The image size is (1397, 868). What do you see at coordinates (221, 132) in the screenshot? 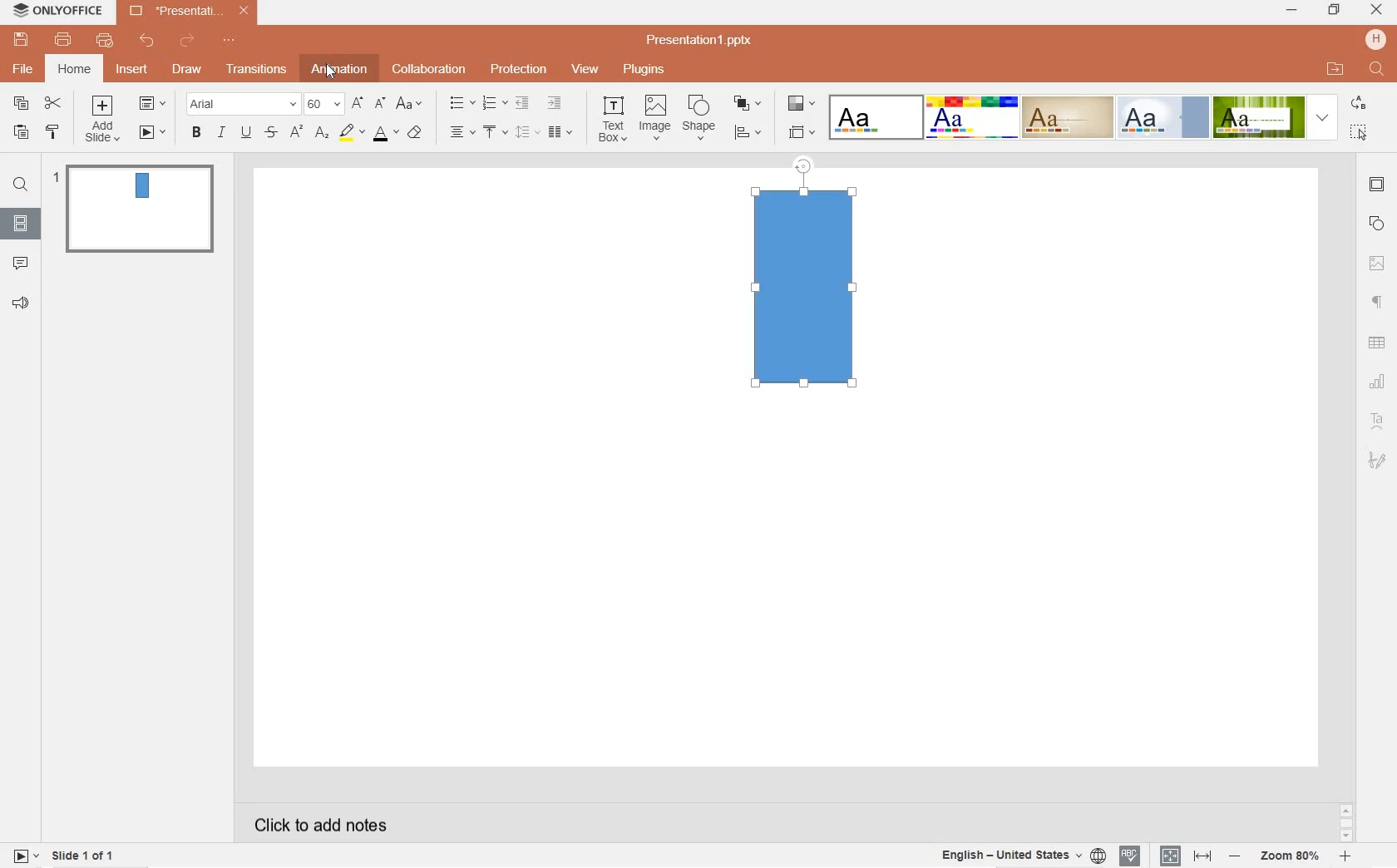
I see `italic` at bounding box center [221, 132].